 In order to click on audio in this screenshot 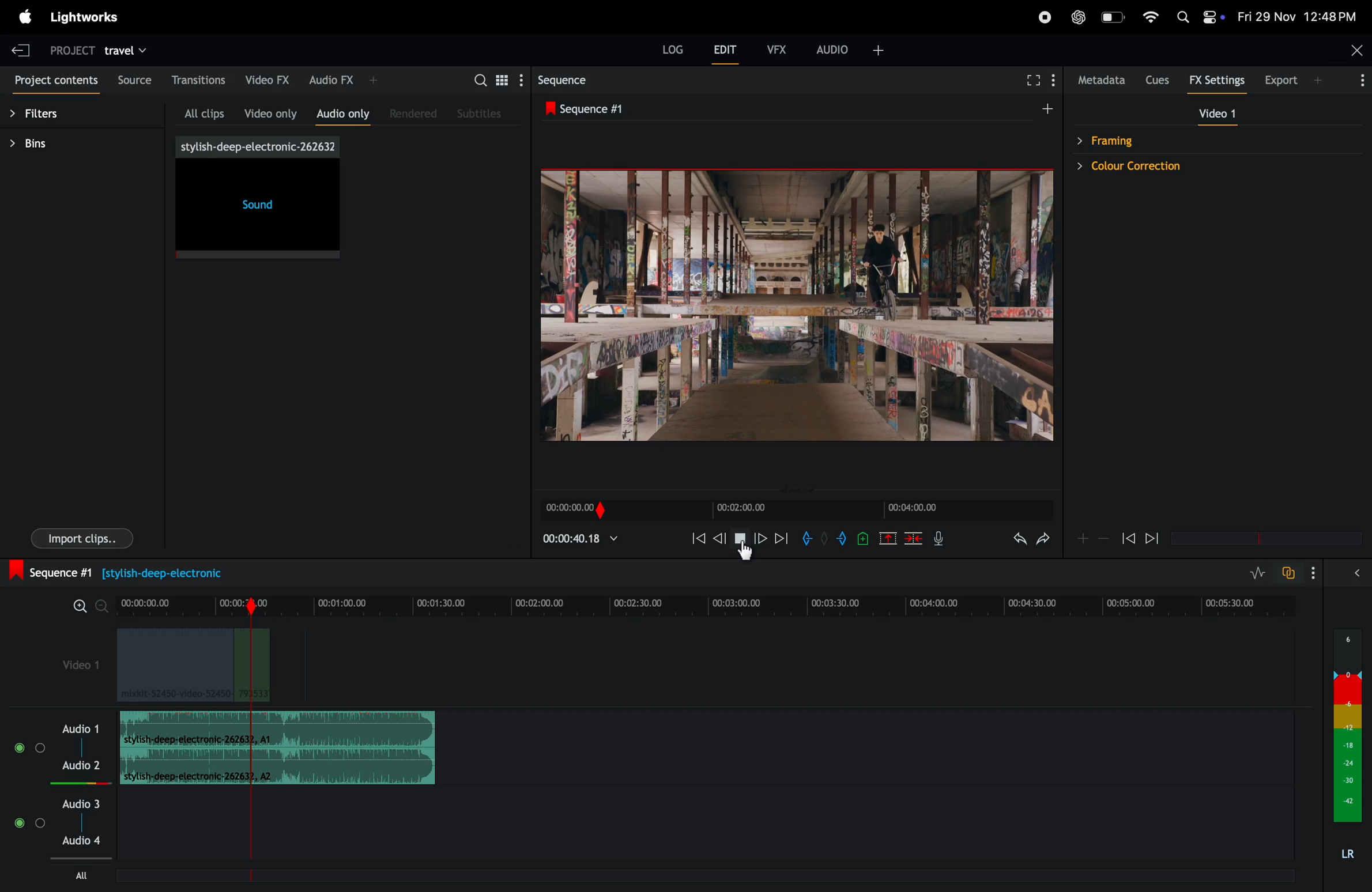, I will do `click(81, 803)`.